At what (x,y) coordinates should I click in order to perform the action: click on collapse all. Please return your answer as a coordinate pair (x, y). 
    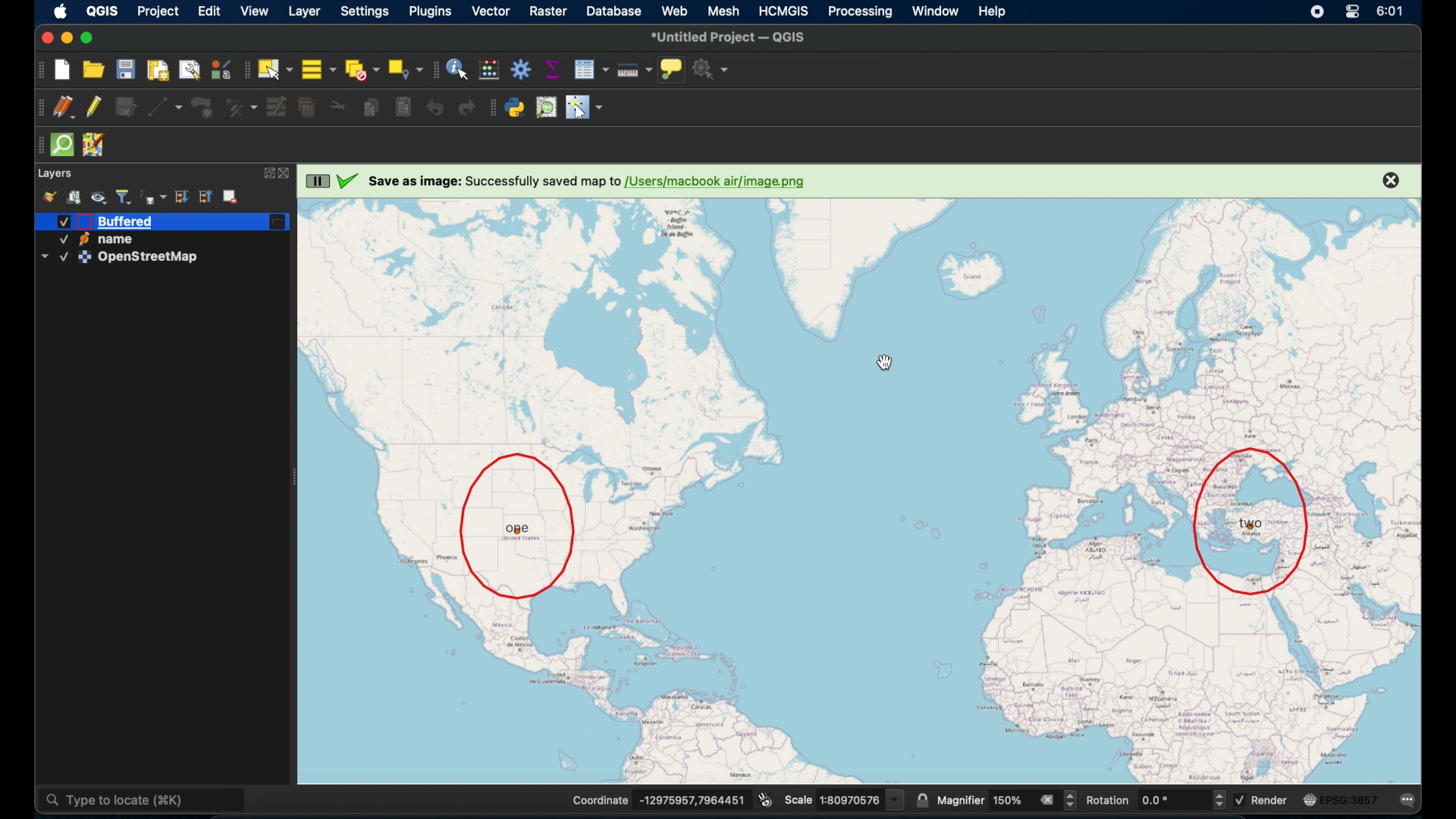
    Looking at the image, I should click on (206, 197).